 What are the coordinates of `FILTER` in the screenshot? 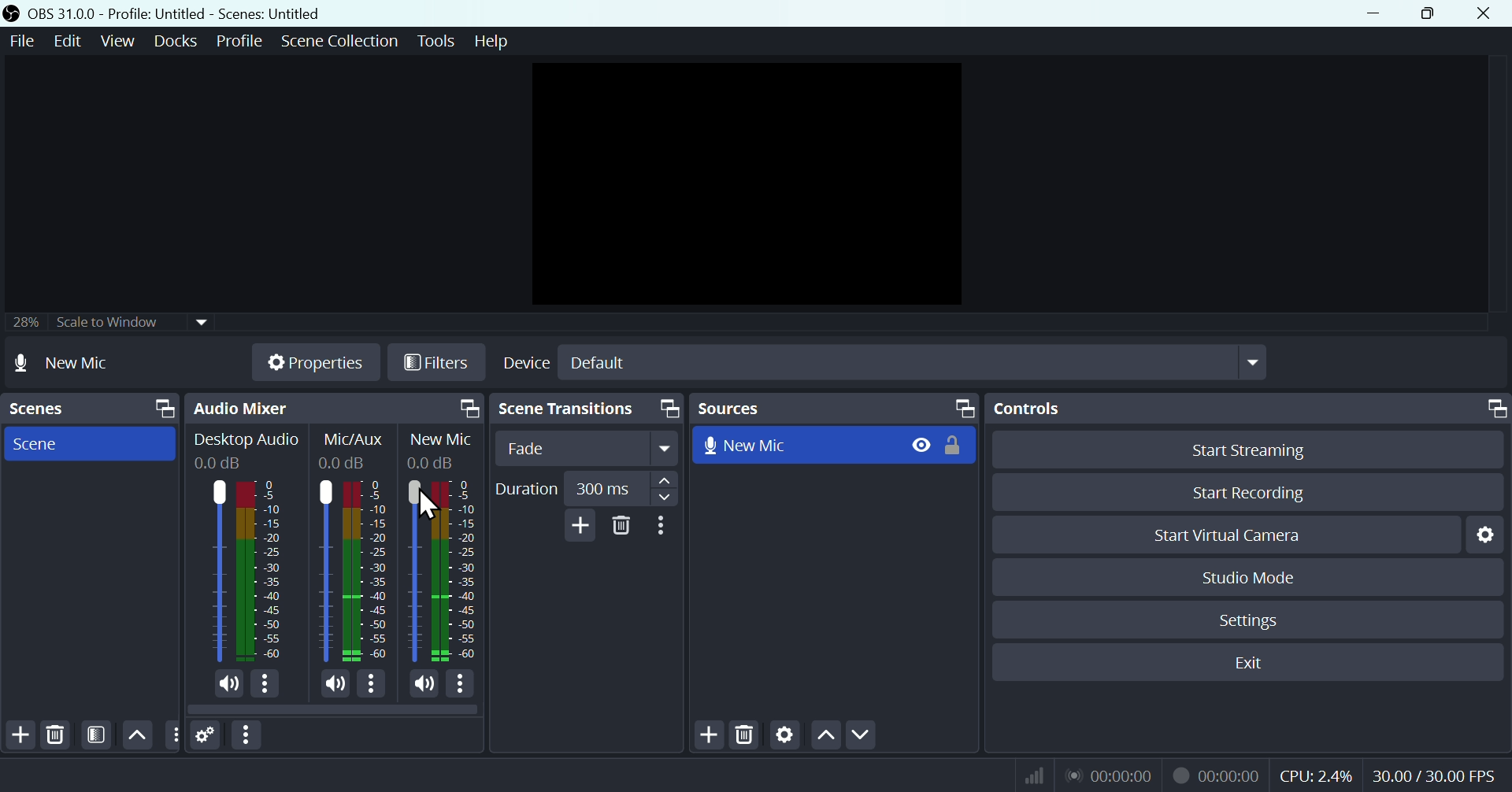 It's located at (94, 735).